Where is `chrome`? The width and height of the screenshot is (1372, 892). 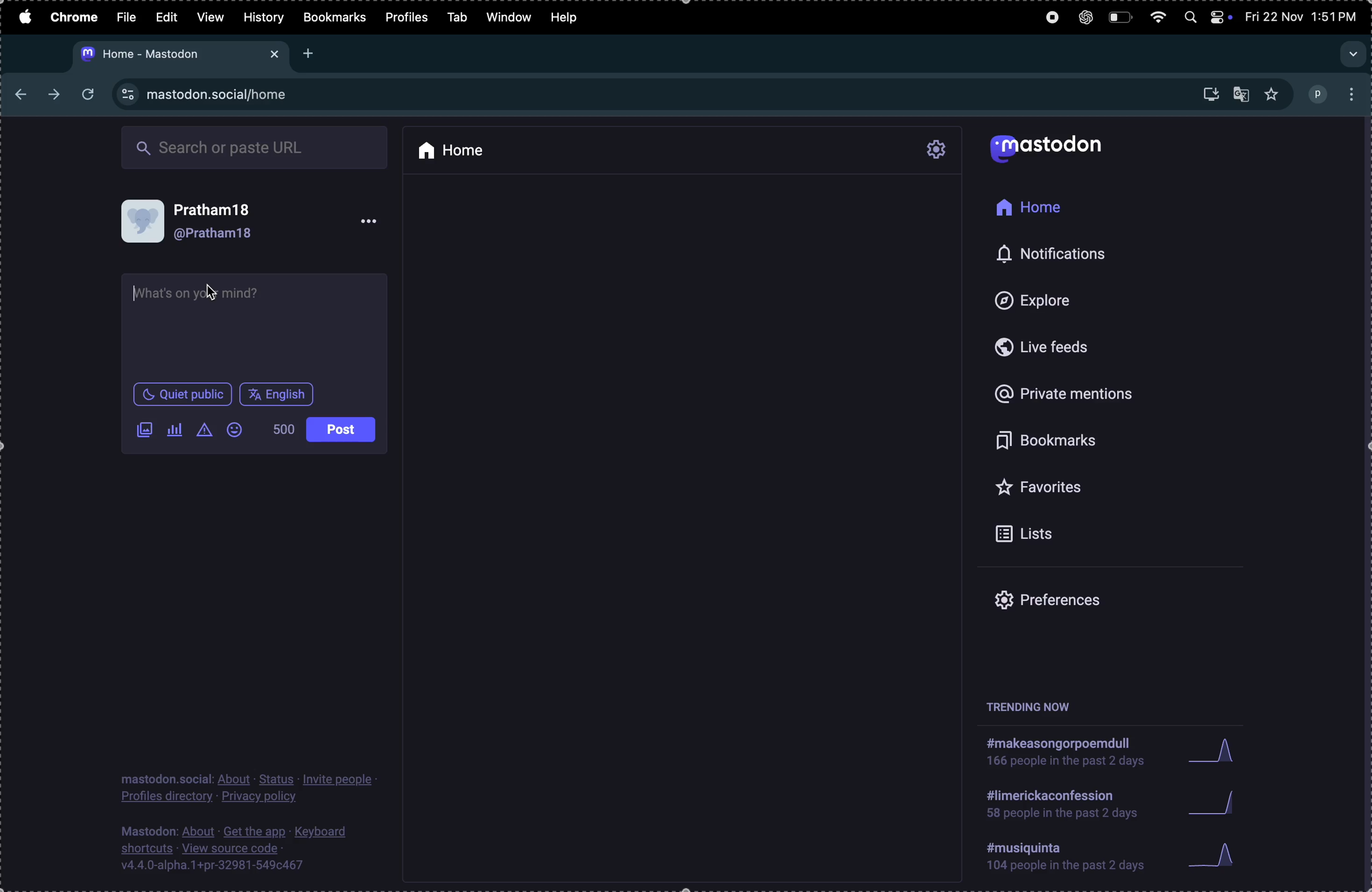 chrome is located at coordinates (72, 17).